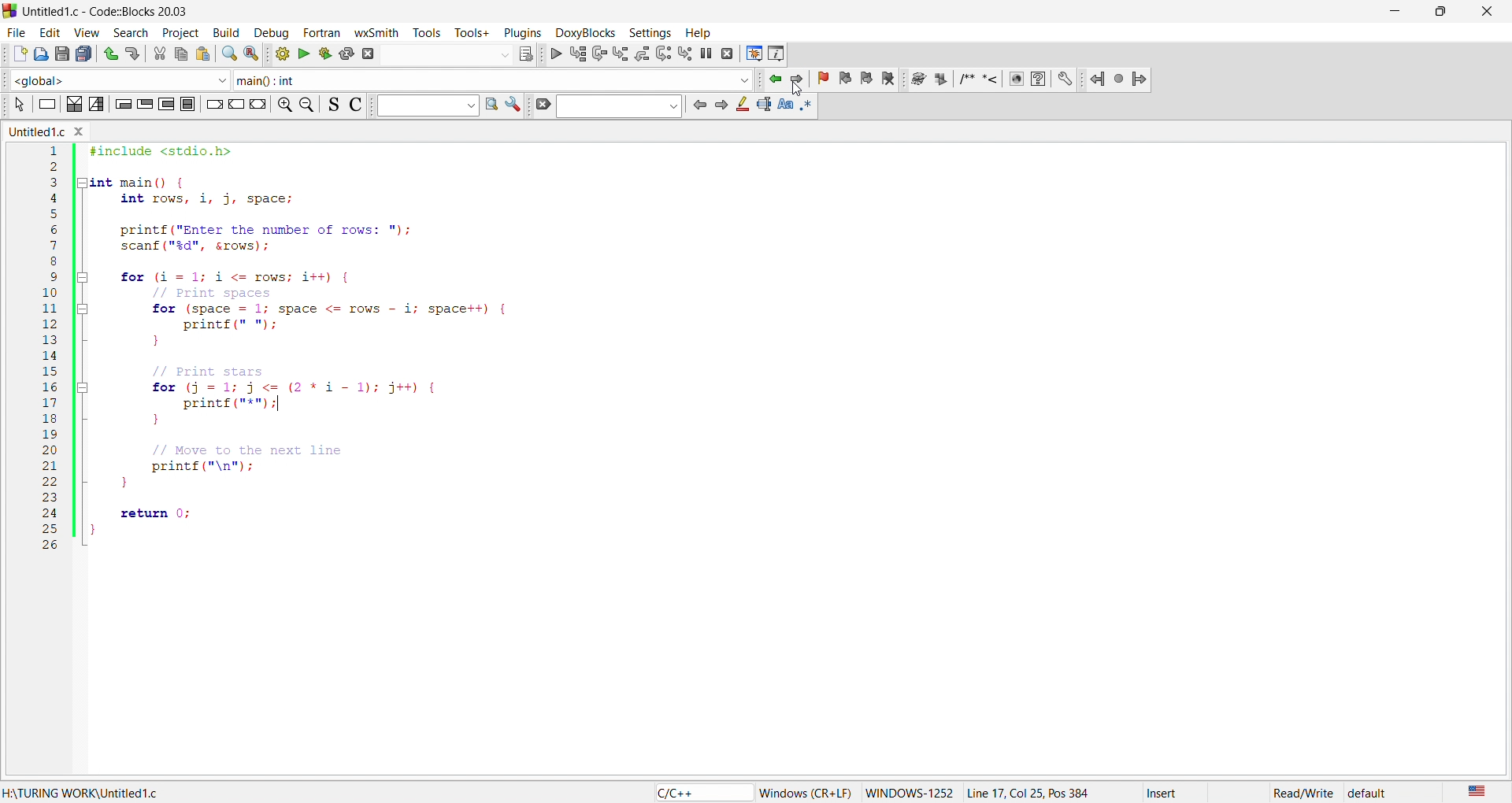 Image resolution: width=1512 pixels, height=803 pixels. What do you see at coordinates (513, 105) in the screenshot?
I see `settings` at bounding box center [513, 105].